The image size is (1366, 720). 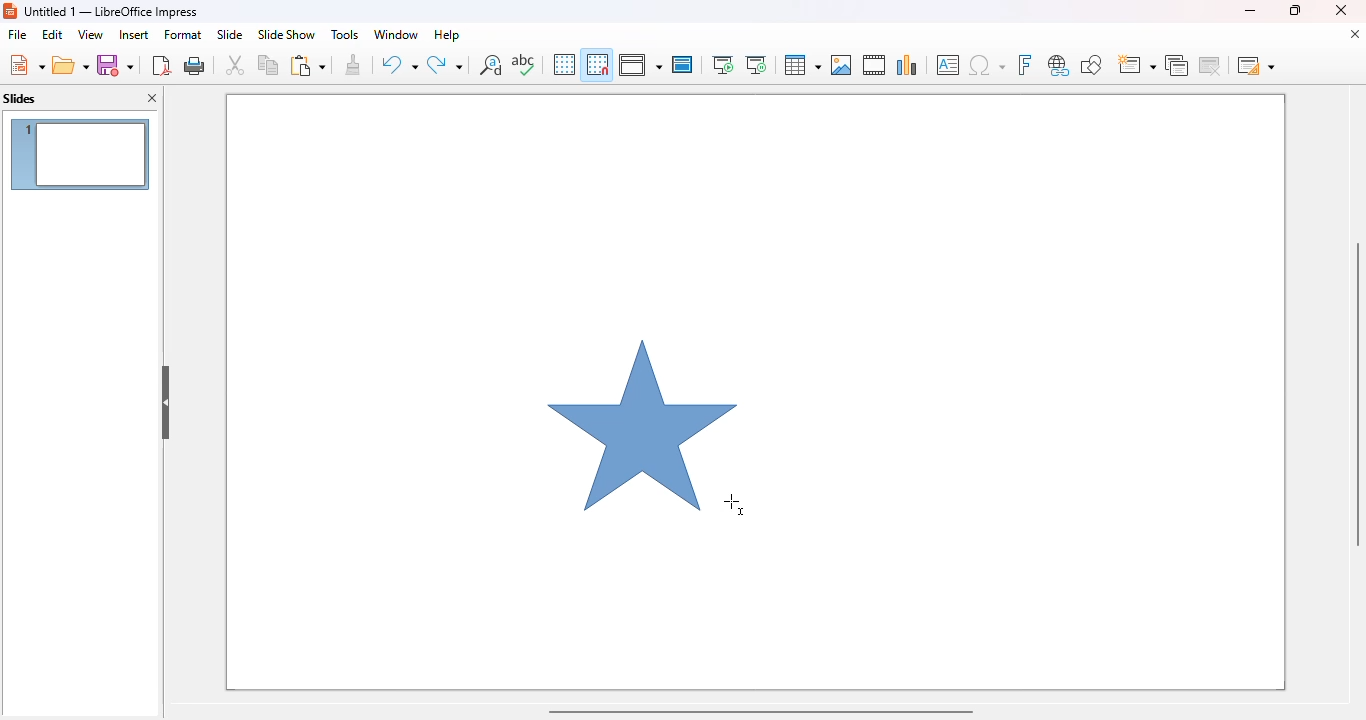 I want to click on shape, so click(x=637, y=423).